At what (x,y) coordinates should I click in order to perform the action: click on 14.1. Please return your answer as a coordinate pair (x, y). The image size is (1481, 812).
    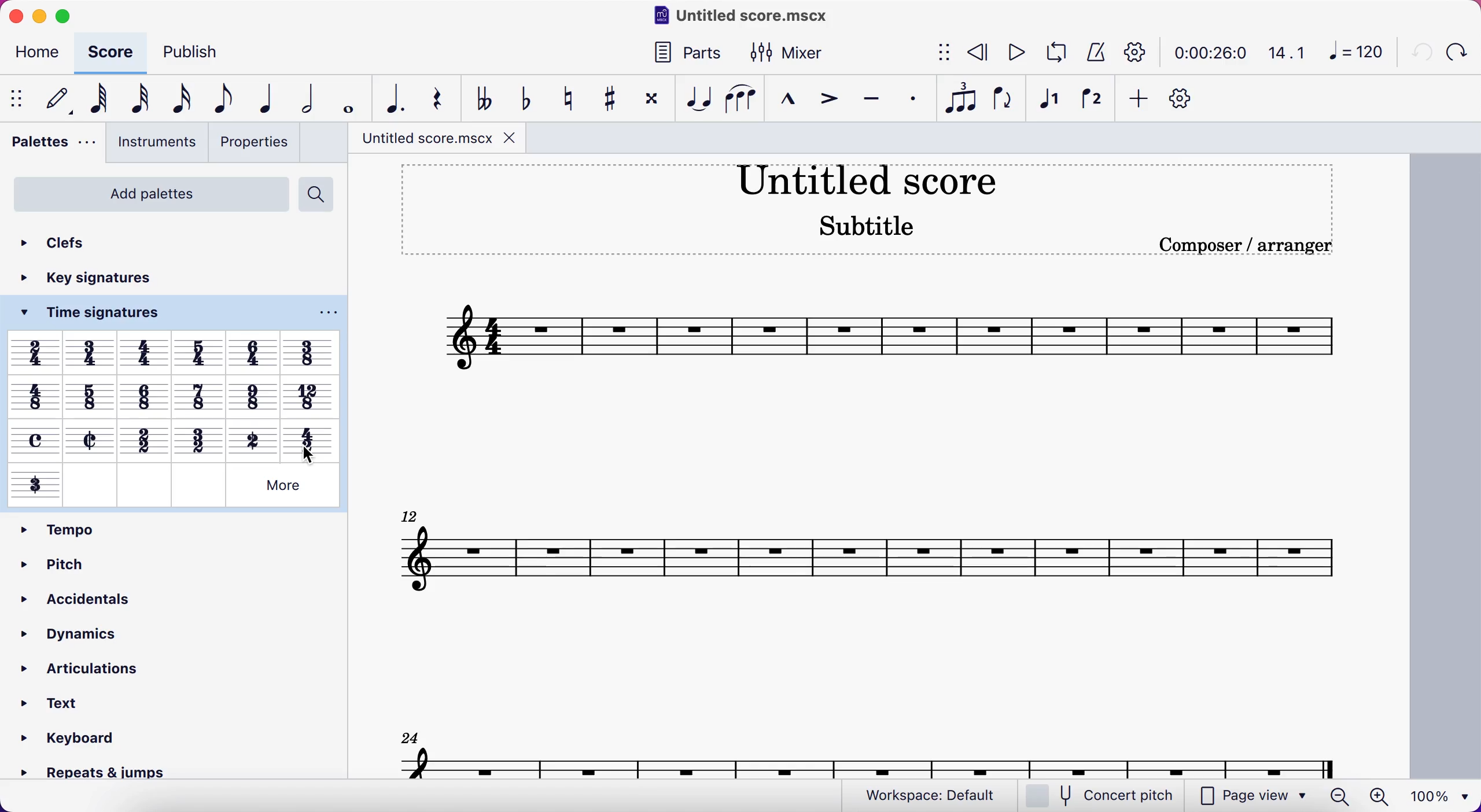
    Looking at the image, I should click on (1281, 53).